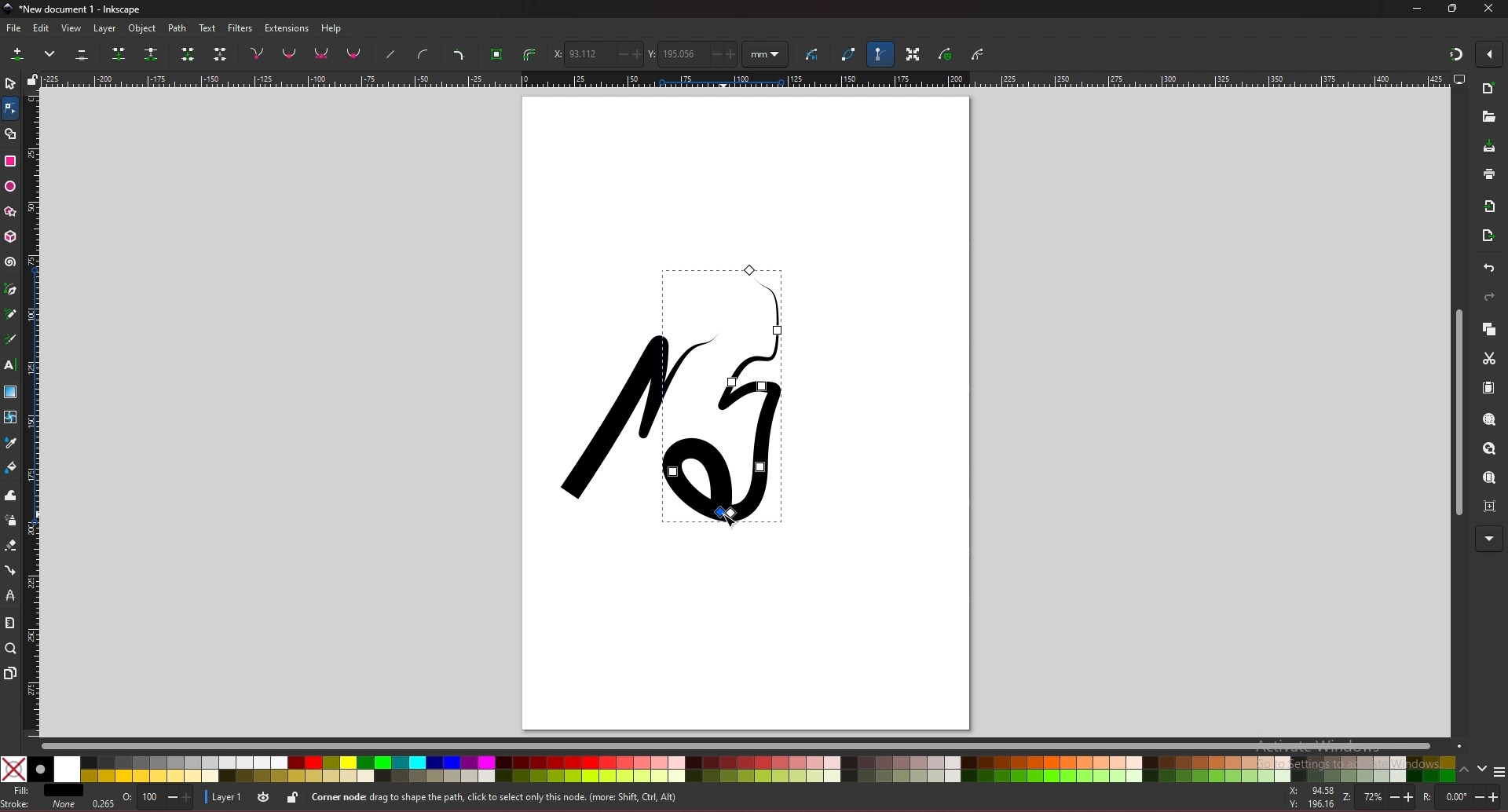  What do you see at coordinates (32, 79) in the screenshot?
I see `lock guides` at bounding box center [32, 79].